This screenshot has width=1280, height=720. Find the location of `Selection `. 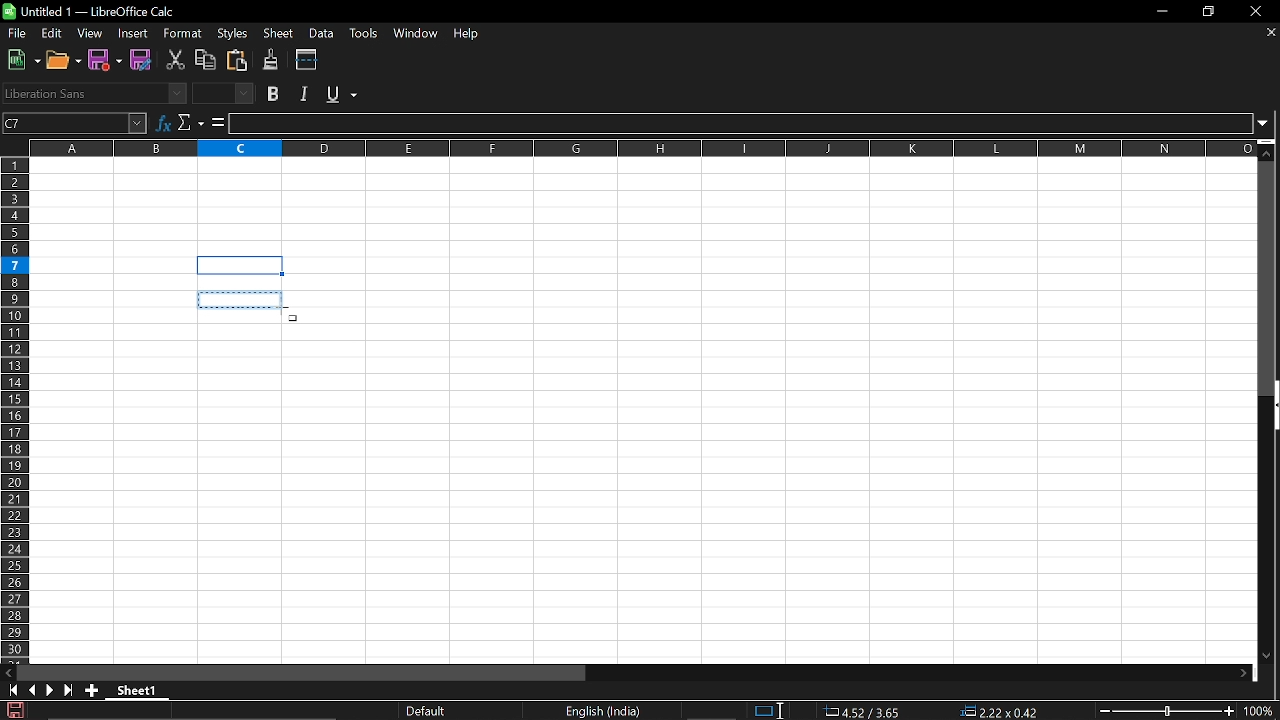

Selection  is located at coordinates (762, 711).